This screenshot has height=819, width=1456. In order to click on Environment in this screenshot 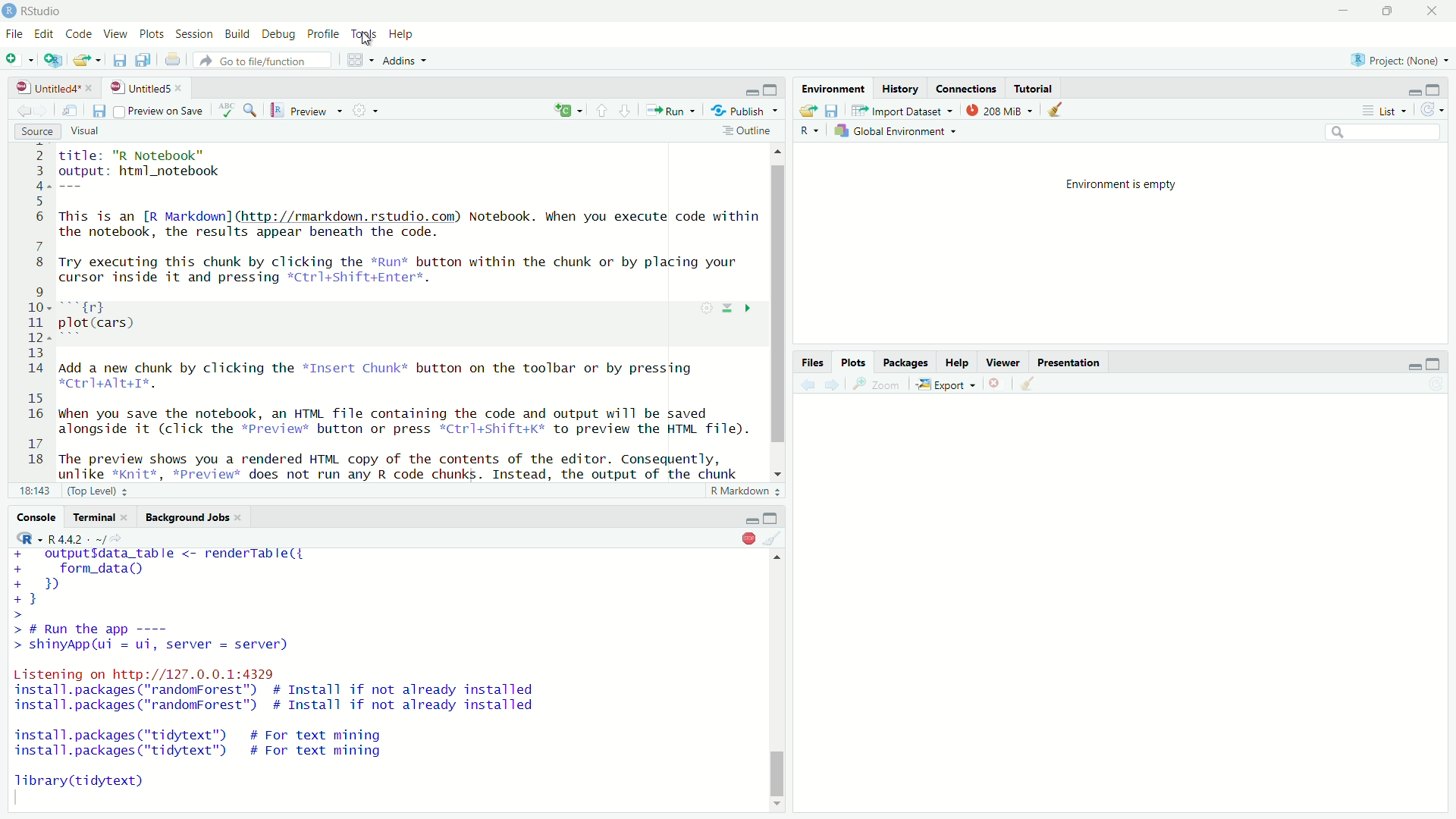, I will do `click(831, 88)`.